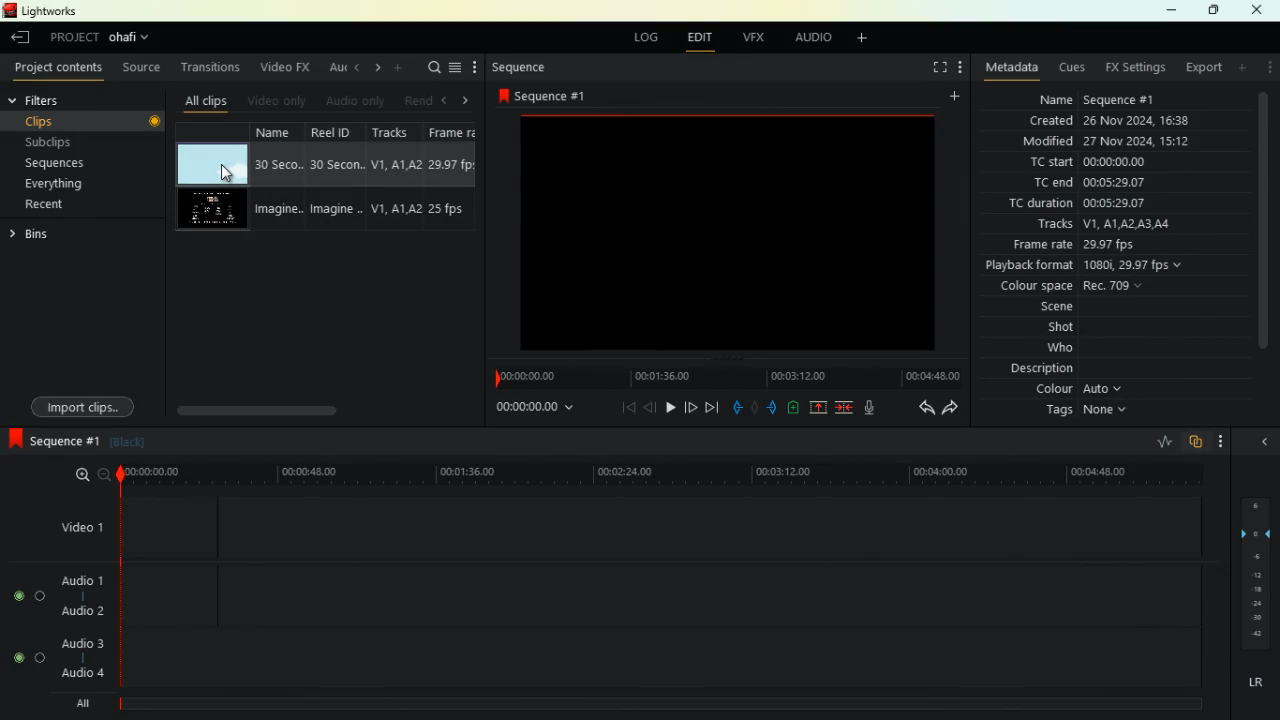 The width and height of the screenshot is (1280, 720). I want to click on sequence, so click(542, 97).